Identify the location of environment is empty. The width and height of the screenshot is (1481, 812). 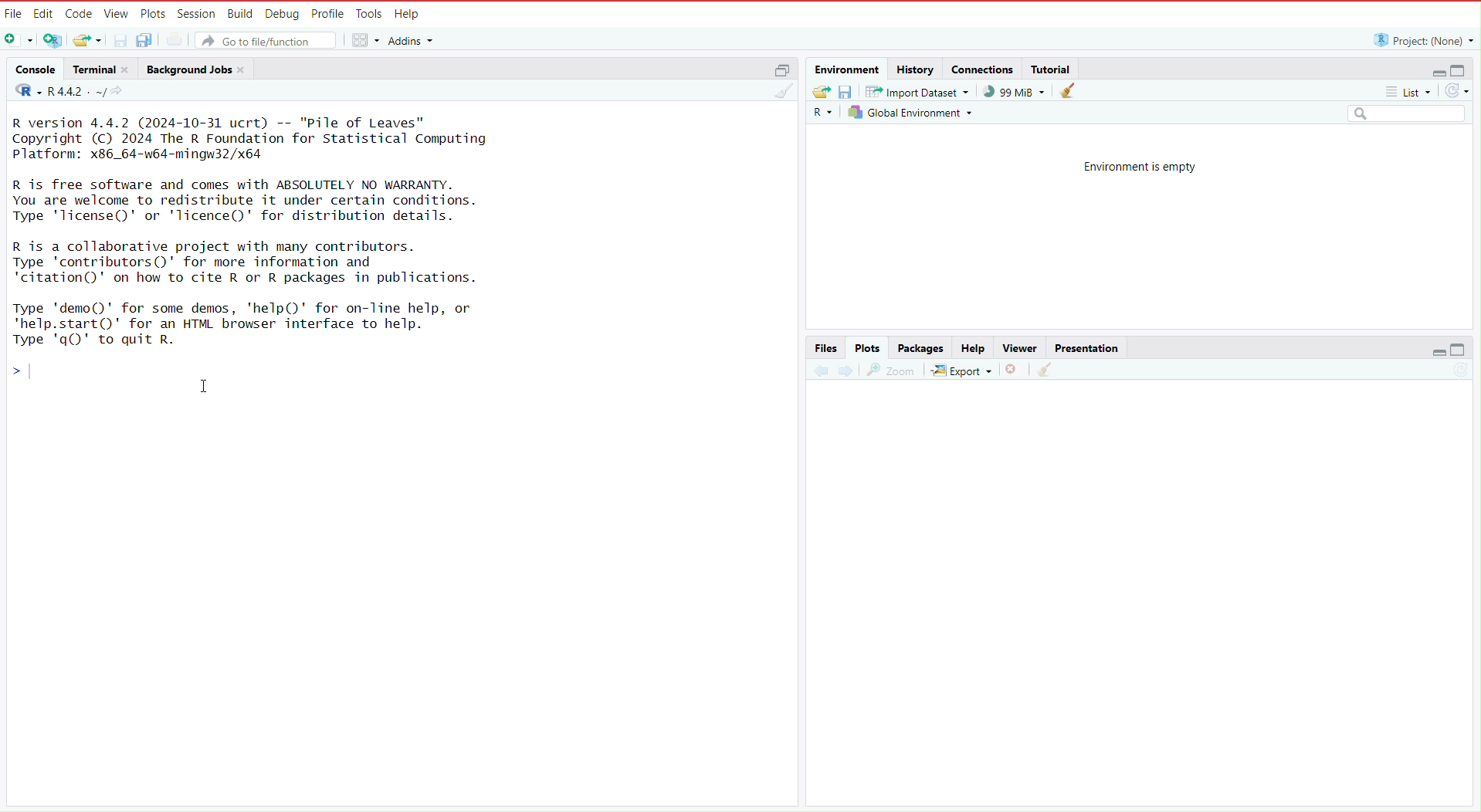
(1131, 165).